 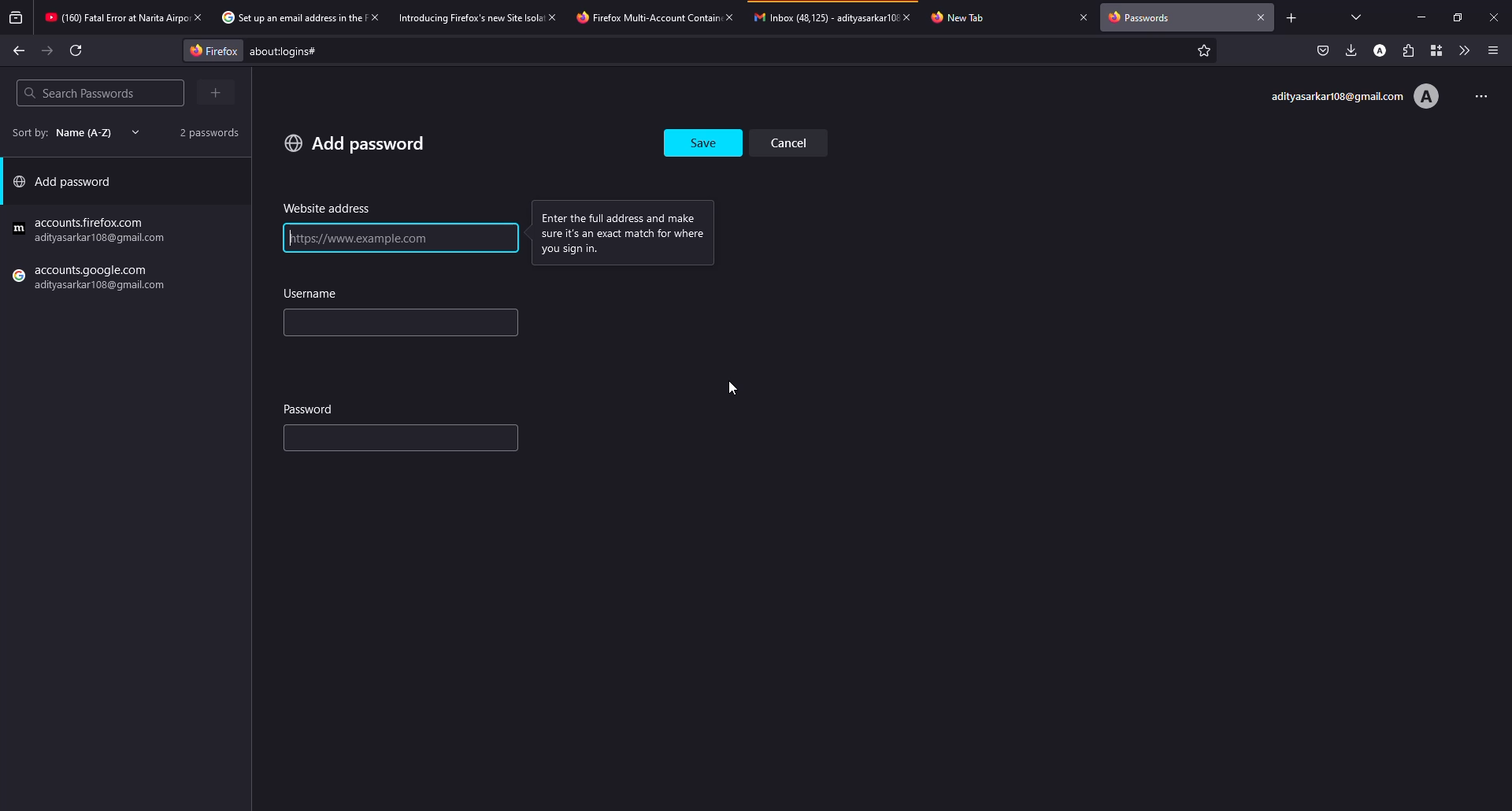 I want to click on type, so click(x=365, y=239).